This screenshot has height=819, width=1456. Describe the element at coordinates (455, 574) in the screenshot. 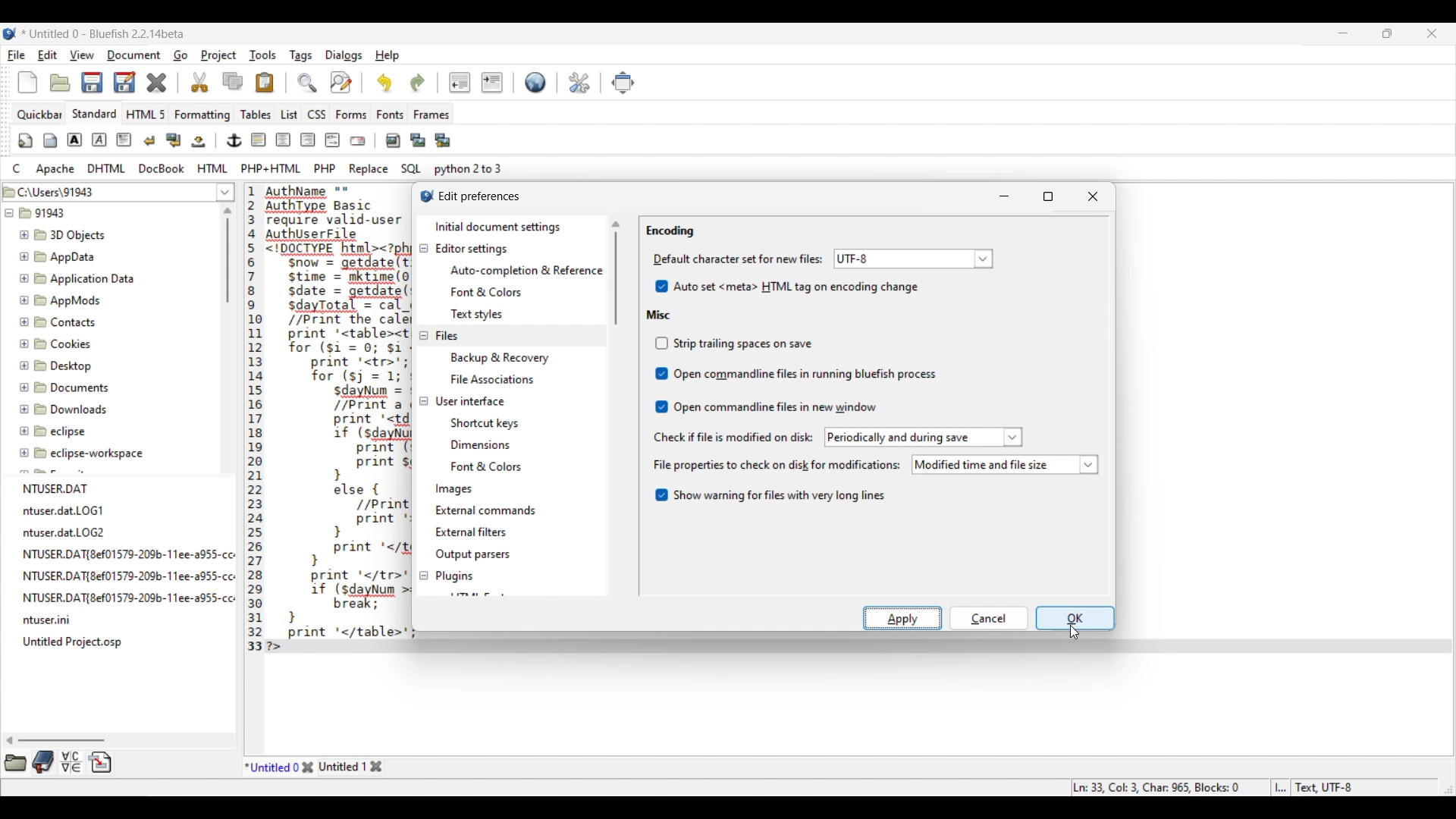

I see `Plugins` at that location.